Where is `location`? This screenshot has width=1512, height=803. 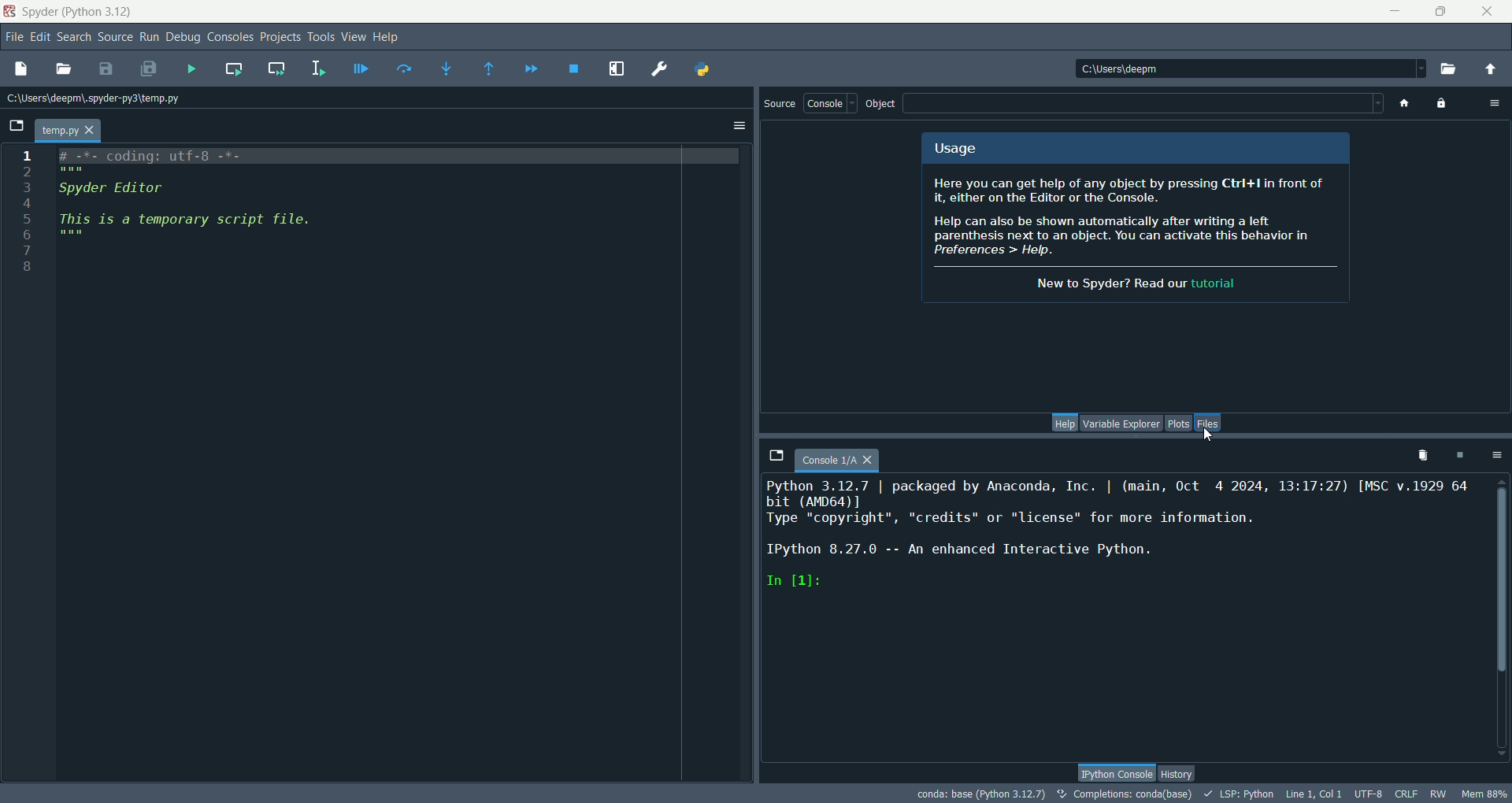 location is located at coordinates (1240, 71).